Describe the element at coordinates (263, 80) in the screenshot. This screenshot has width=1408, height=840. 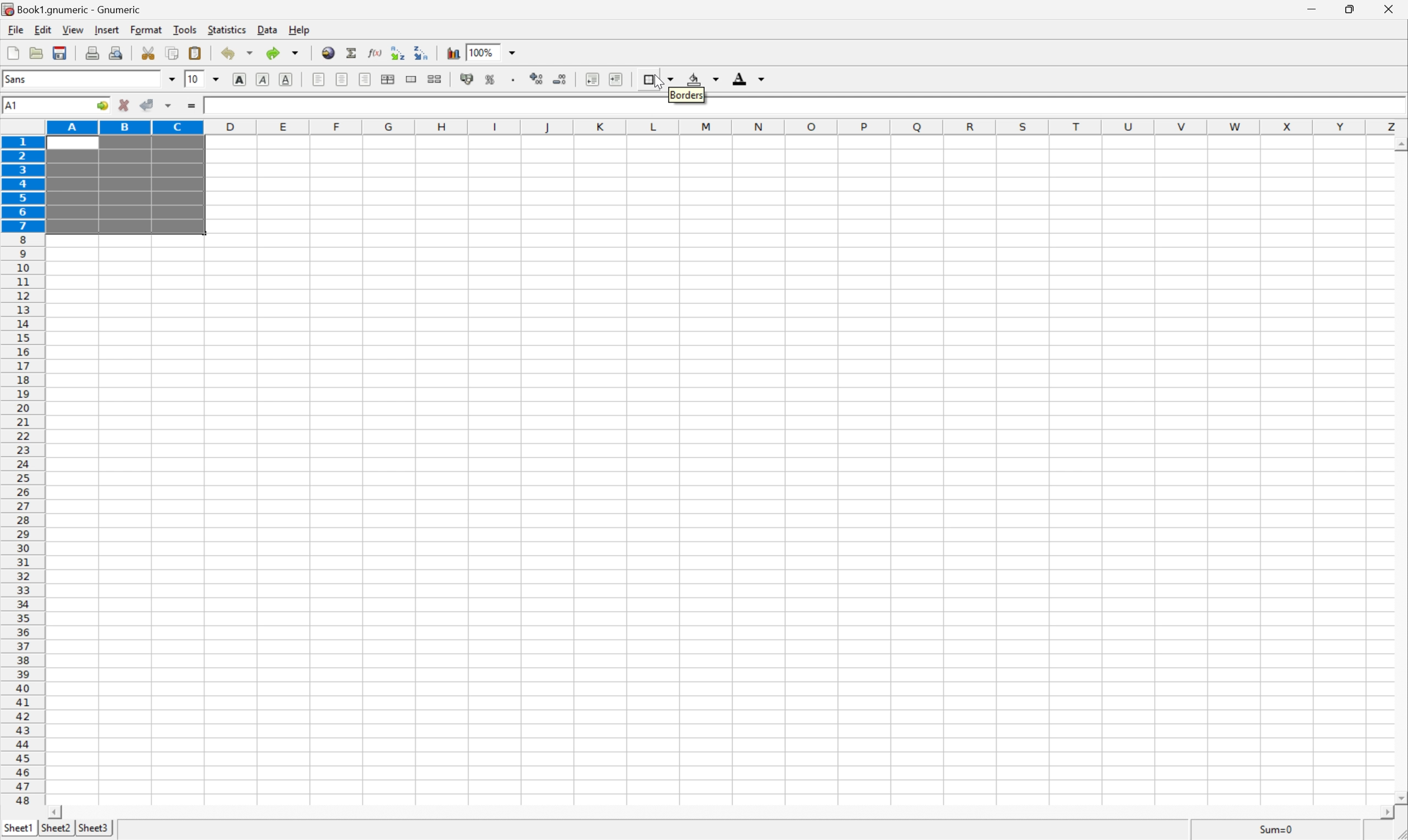
I see `italic` at that location.